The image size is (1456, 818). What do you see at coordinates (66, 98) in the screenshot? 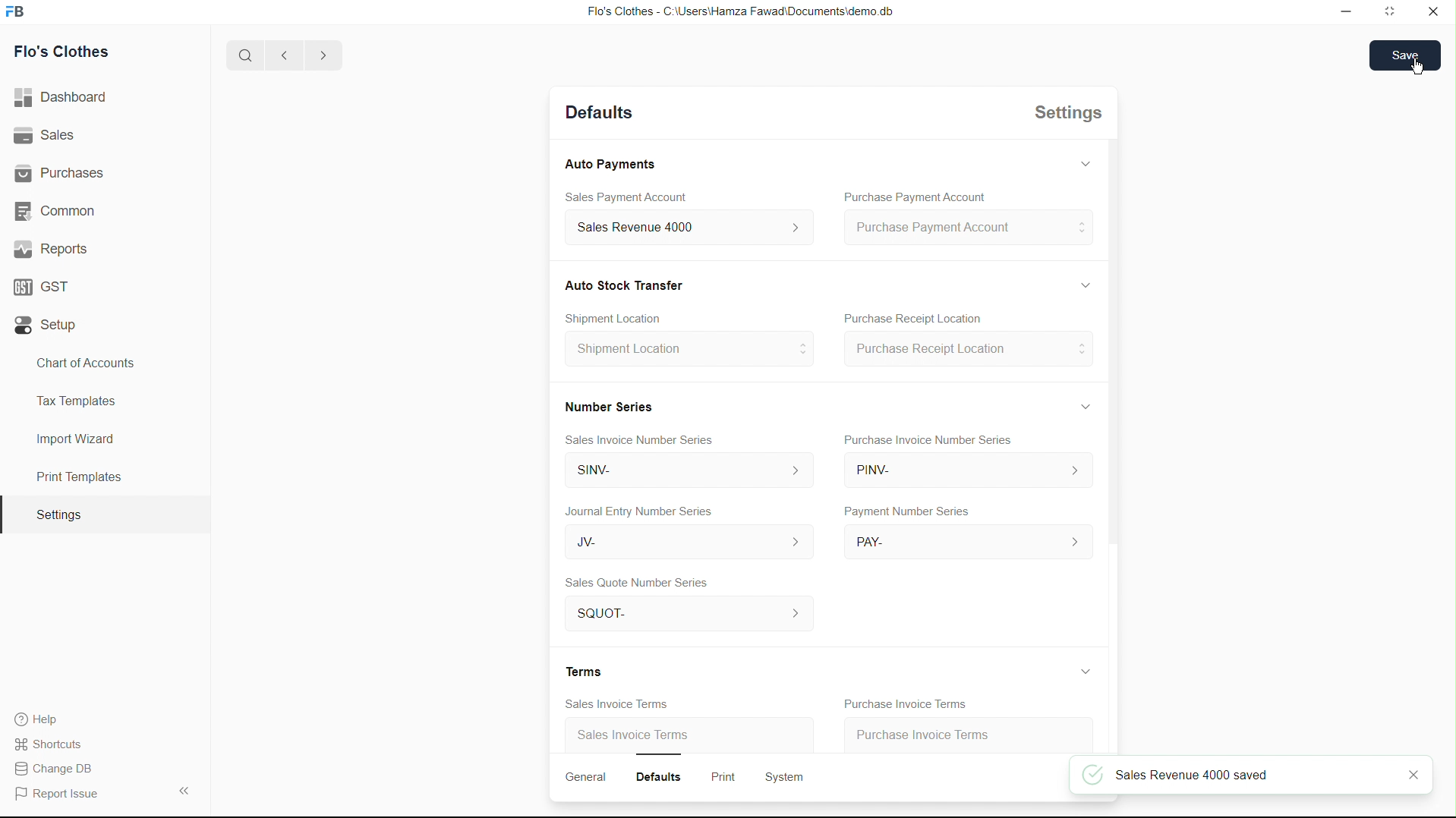
I see `Dashboard` at bounding box center [66, 98].